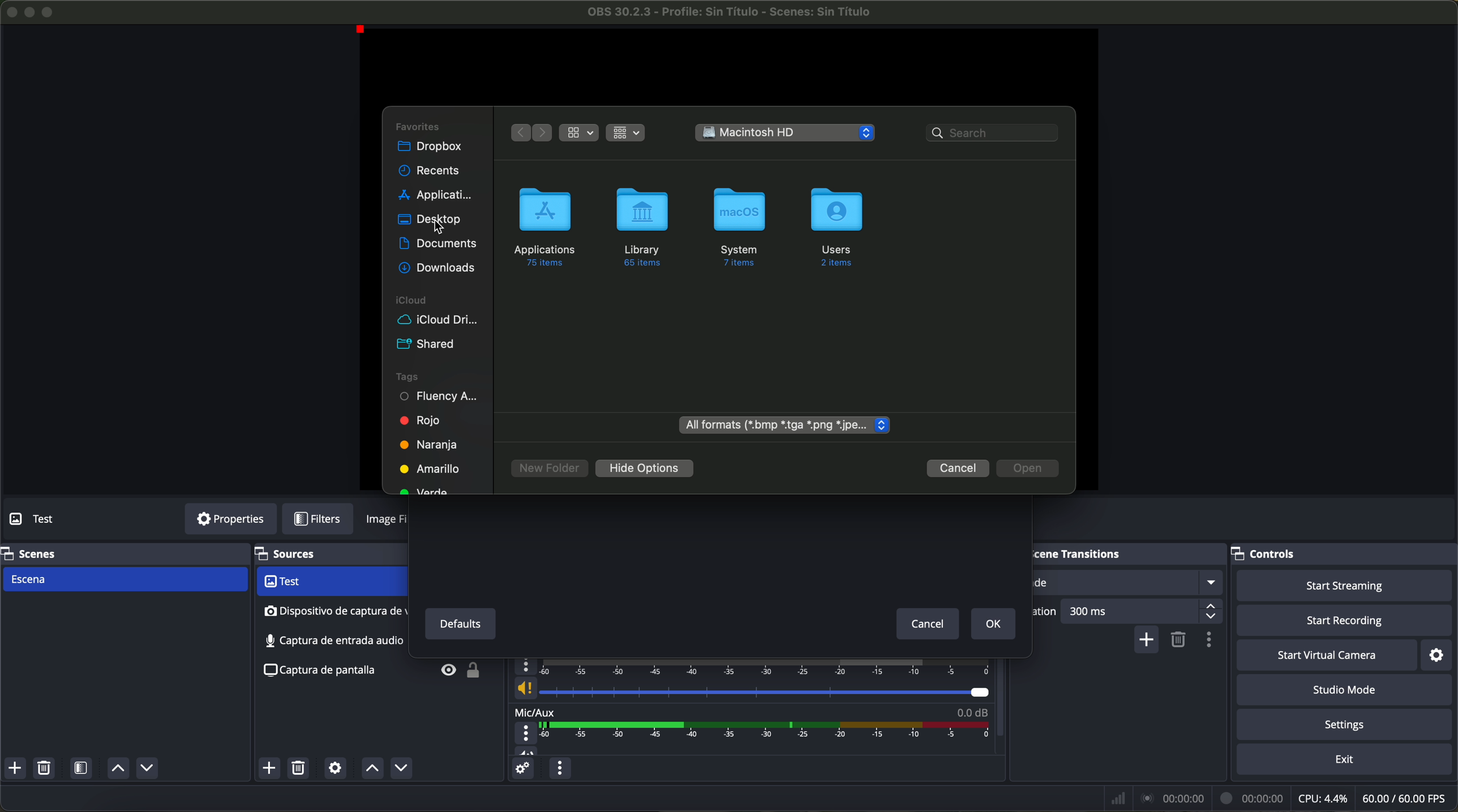  What do you see at coordinates (1143, 611) in the screenshot?
I see `300 ms` at bounding box center [1143, 611].